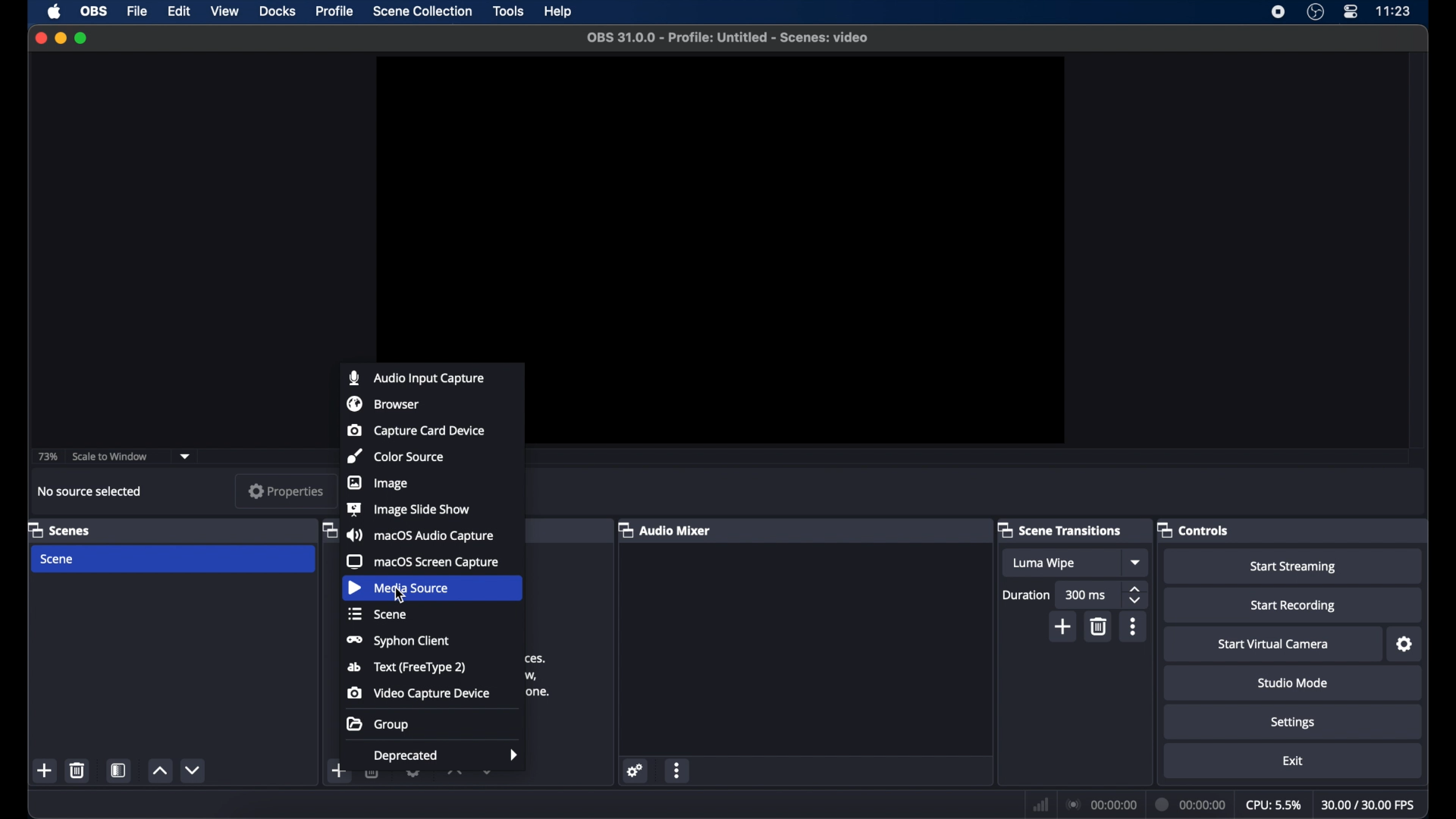  I want to click on scene filters, so click(120, 770).